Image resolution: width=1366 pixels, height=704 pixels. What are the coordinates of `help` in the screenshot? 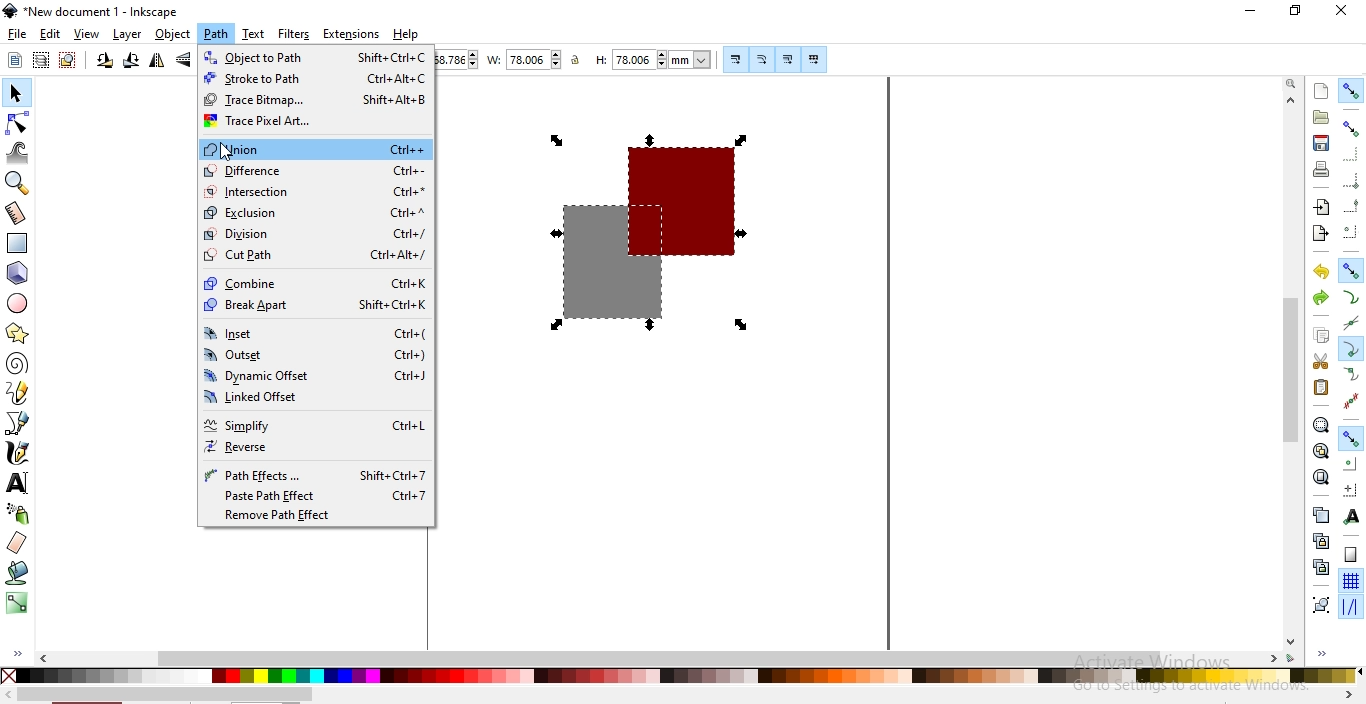 It's located at (406, 35).